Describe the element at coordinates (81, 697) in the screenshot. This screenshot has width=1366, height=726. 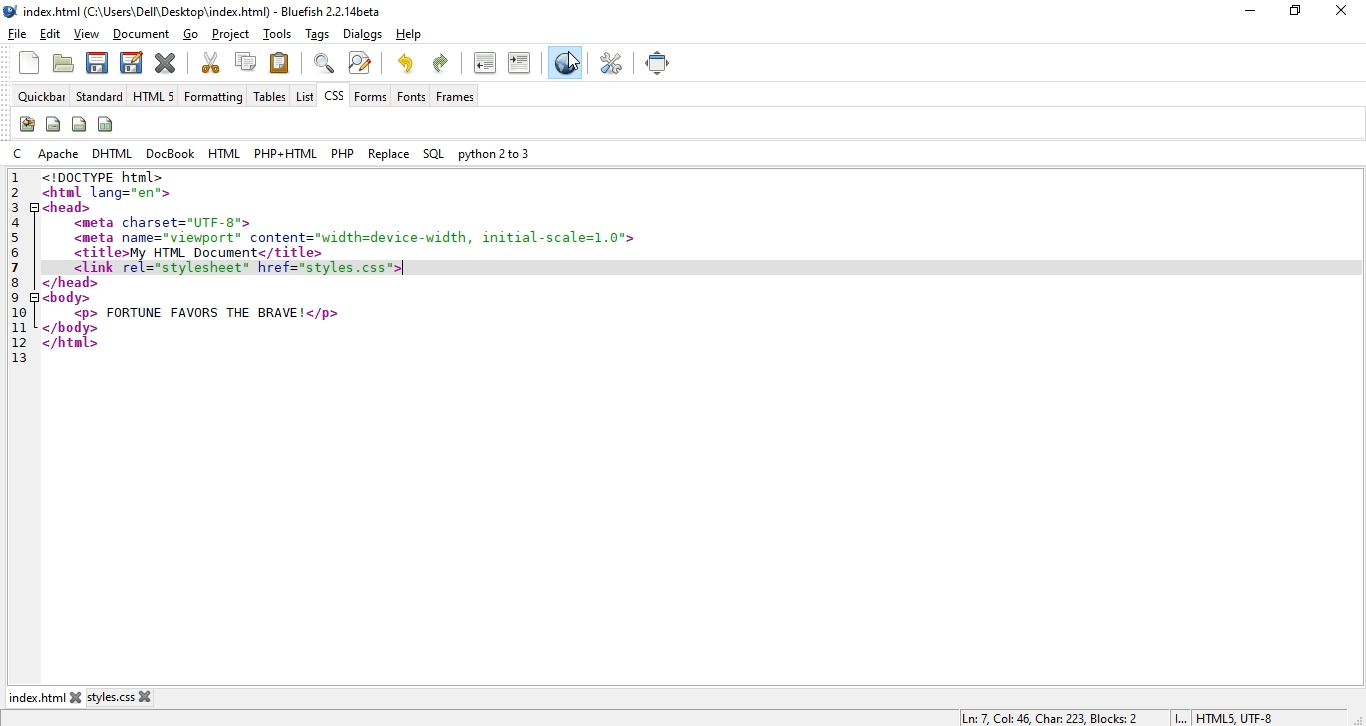
I see `close` at that location.